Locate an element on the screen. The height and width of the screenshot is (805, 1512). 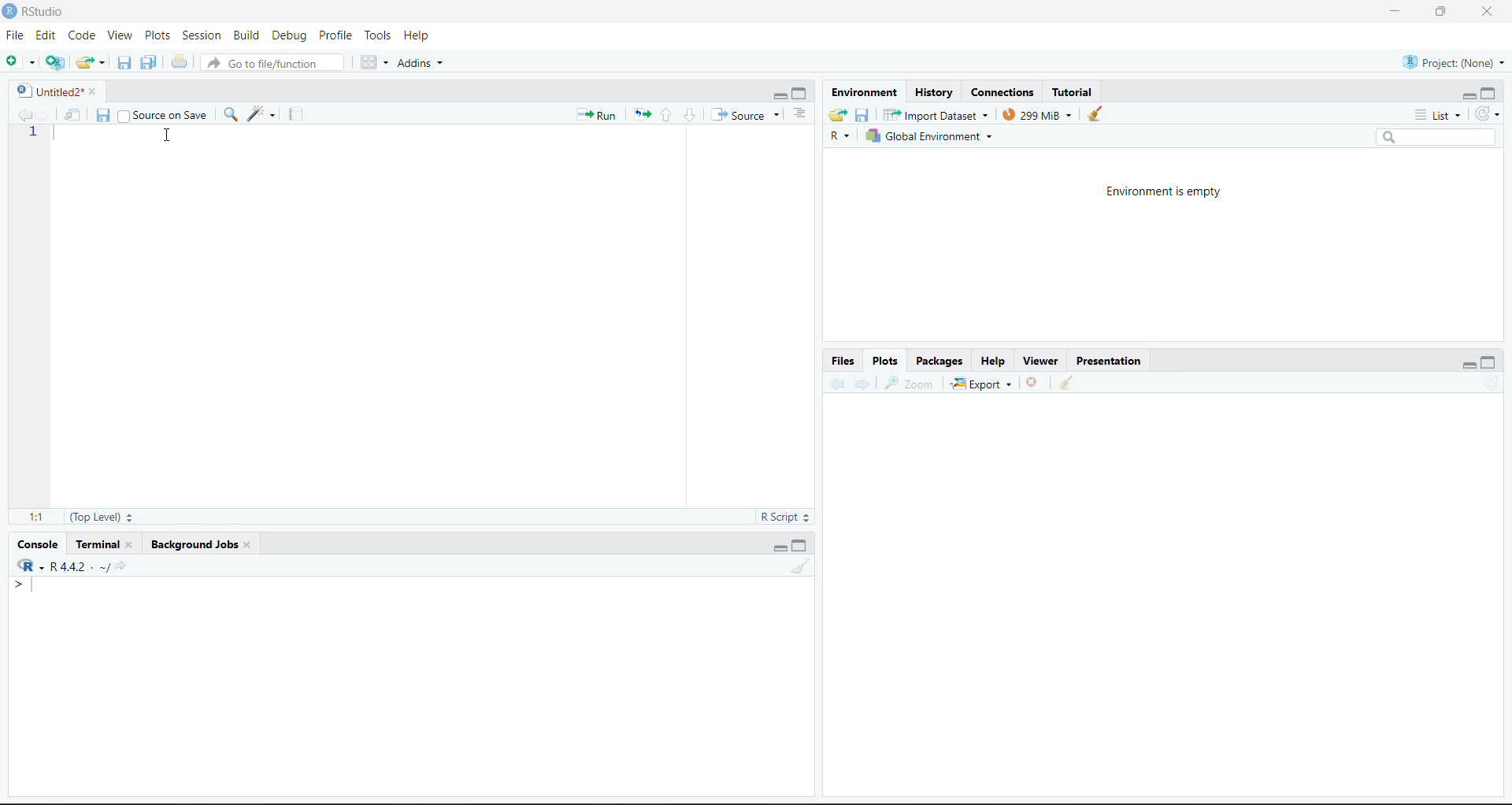
Tools is located at coordinates (382, 35).